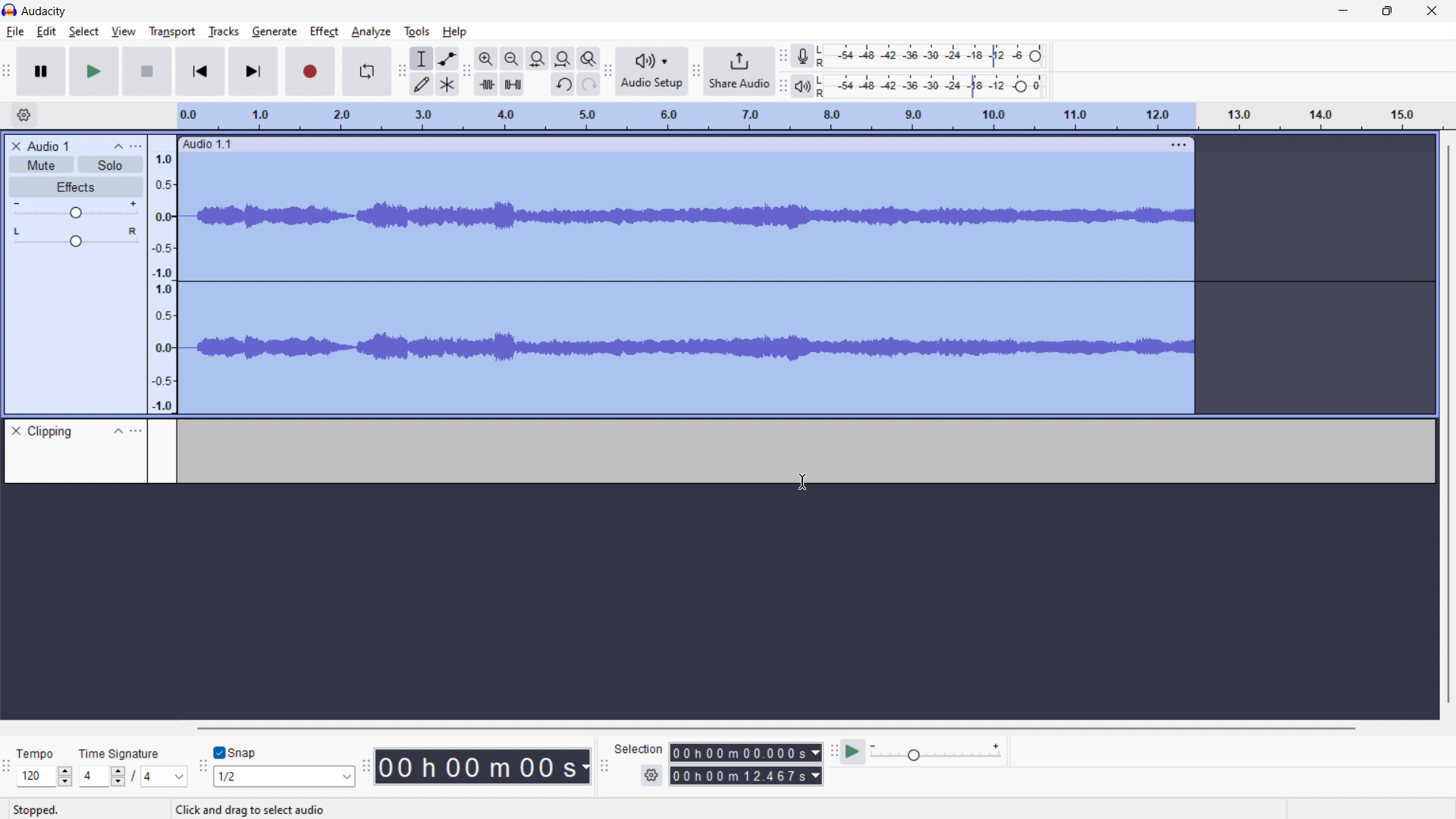 This screenshot has height=819, width=1456. What do you see at coordinates (76, 210) in the screenshot?
I see `gain` at bounding box center [76, 210].